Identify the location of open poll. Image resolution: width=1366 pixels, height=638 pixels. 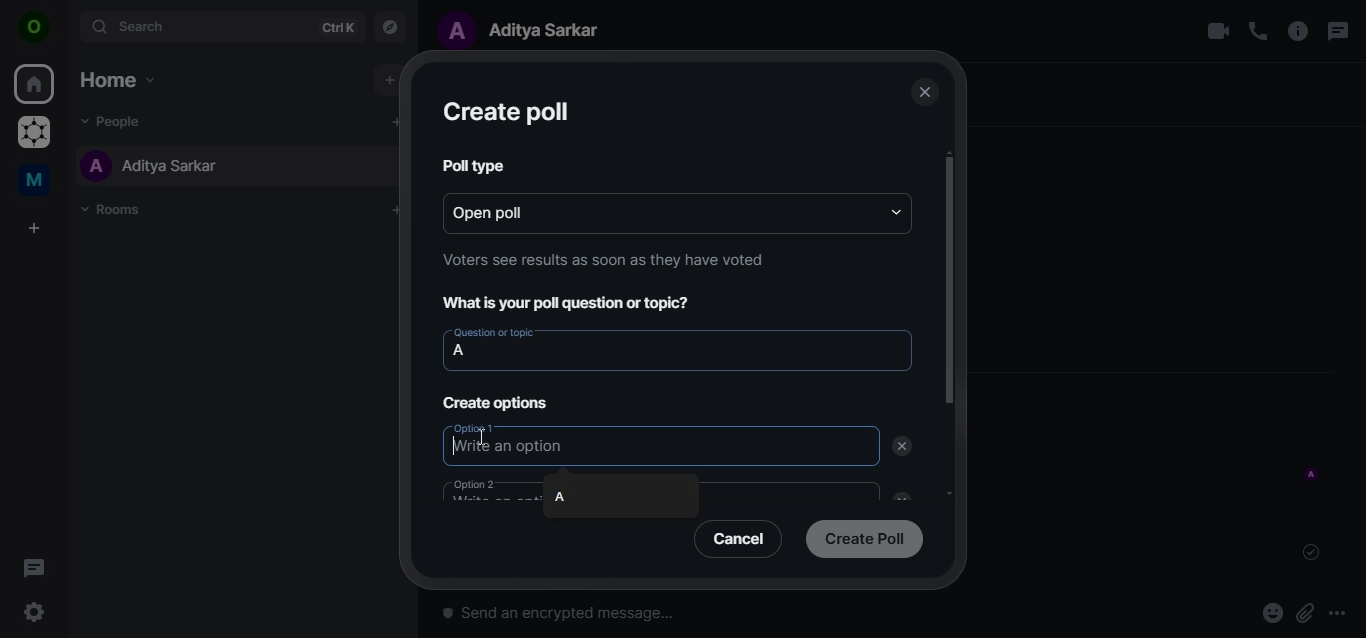
(513, 211).